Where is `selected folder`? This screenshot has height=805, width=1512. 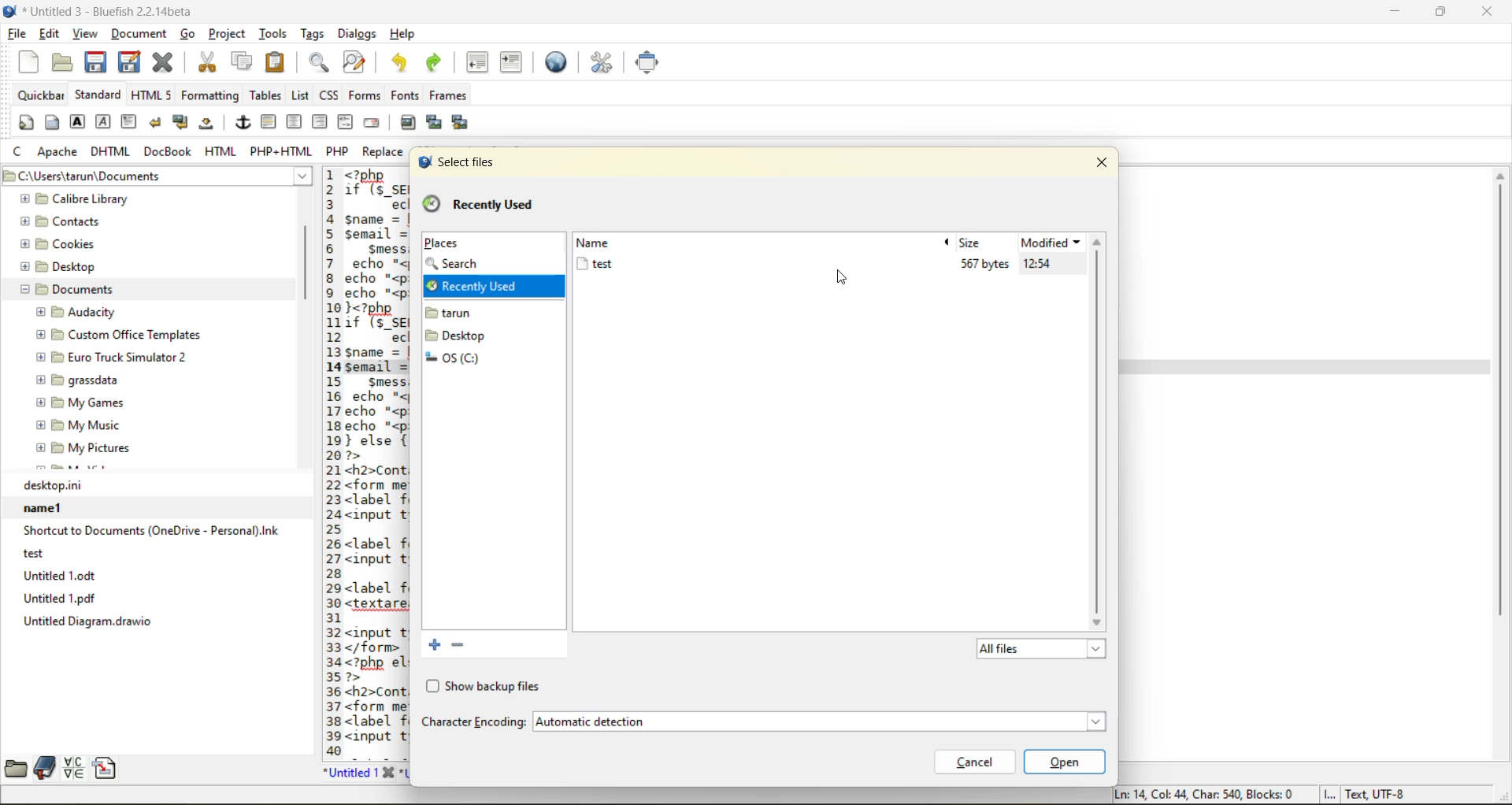
selected folder is located at coordinates (492, 288).